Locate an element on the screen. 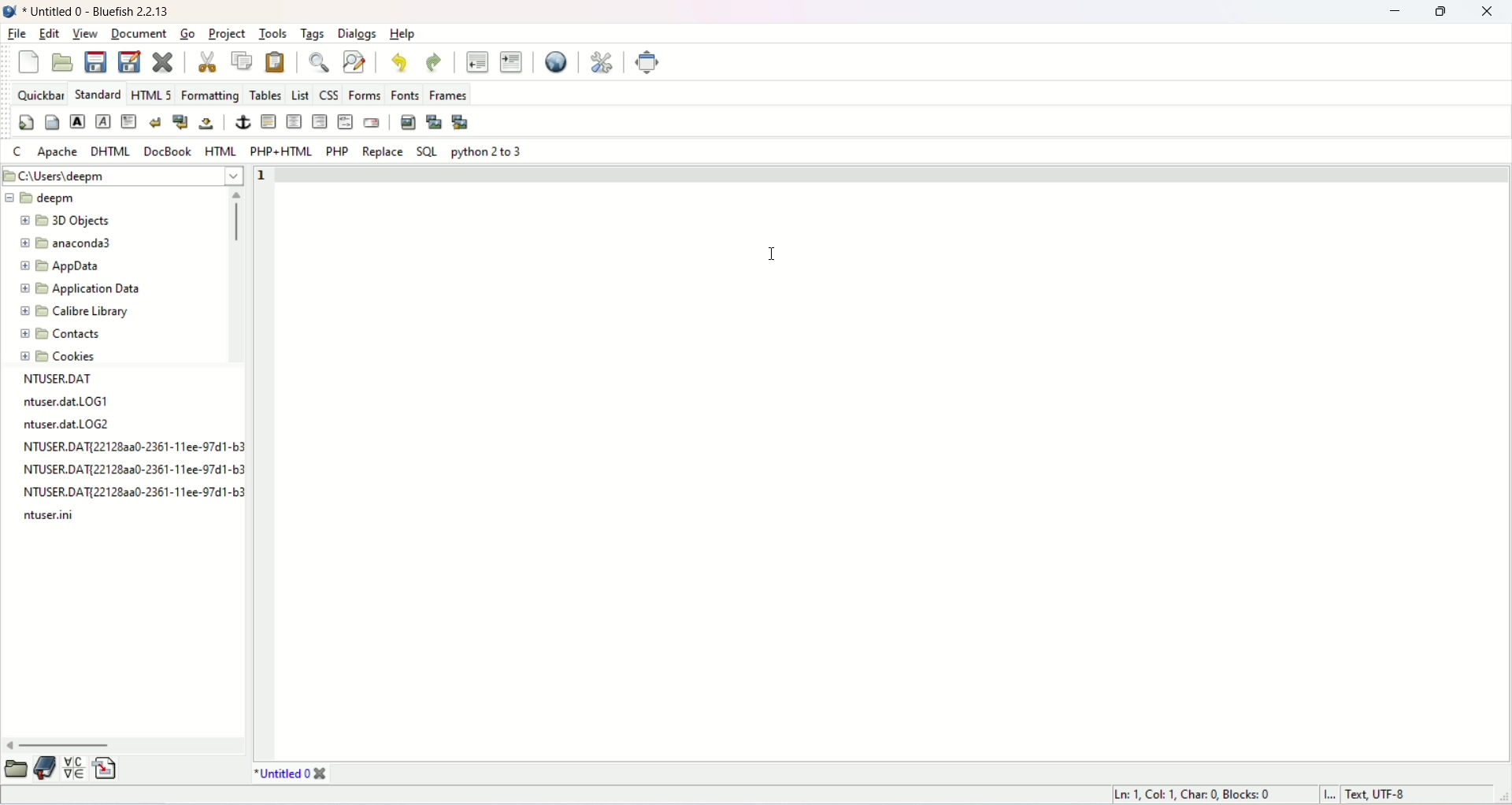 The image size is (1512, 805). email is located at coordinates (373, 126).